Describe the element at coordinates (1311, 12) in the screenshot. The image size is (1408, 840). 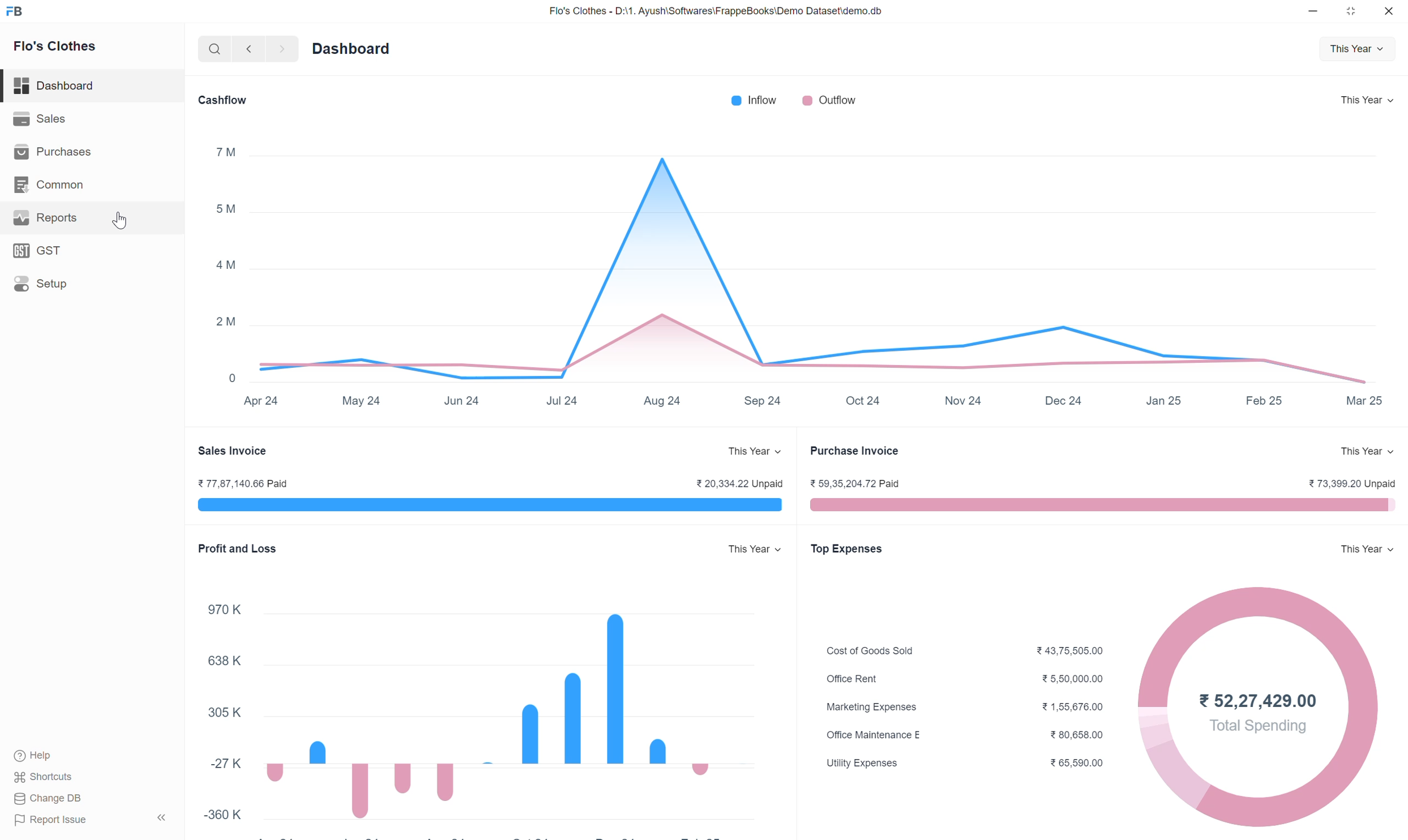
I see `minimize` at that location.